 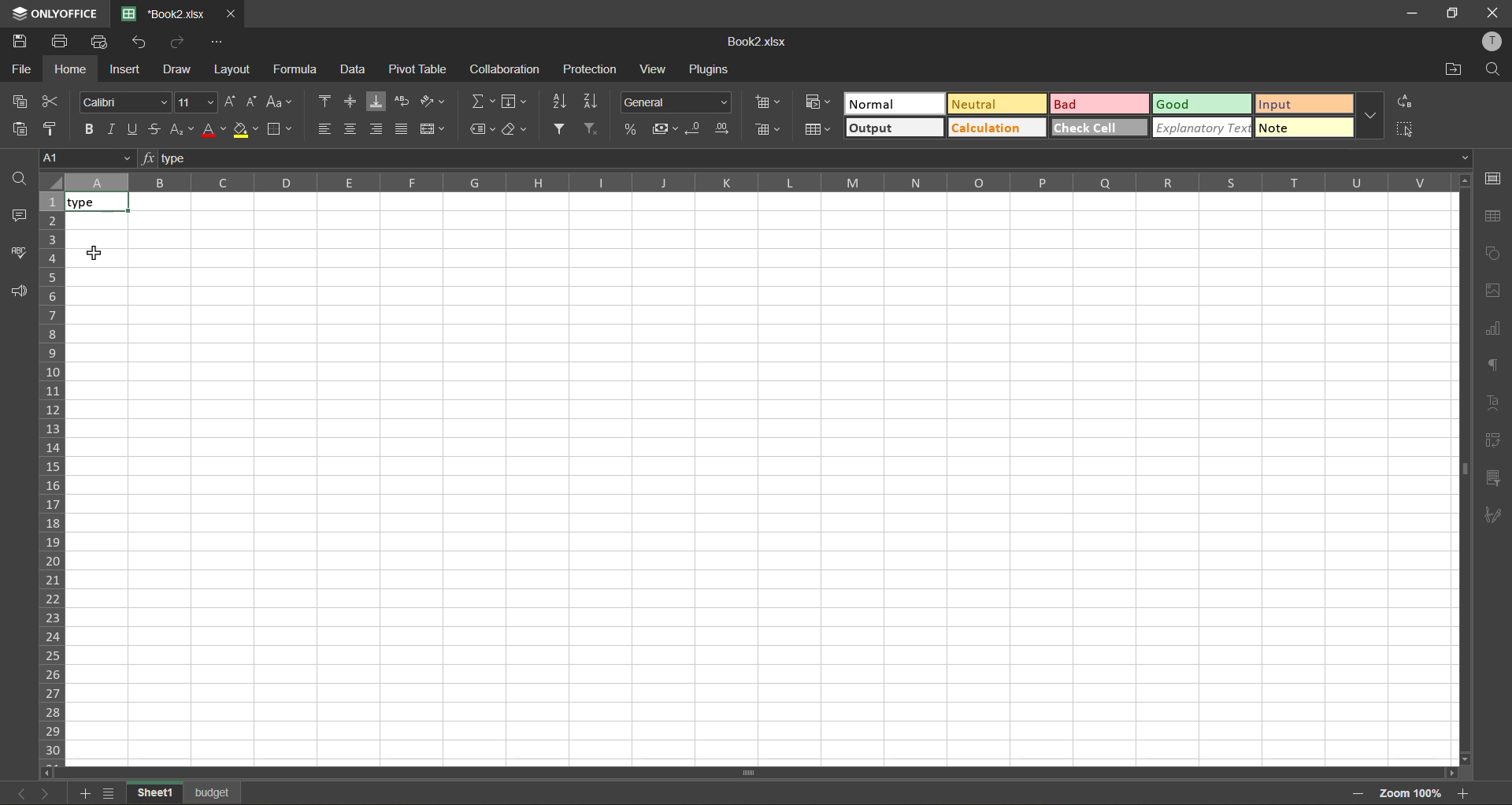 What do you see at coordinates (766, 130) in the screenshot?
I see `delete cells` at bounding box center [766, 130].